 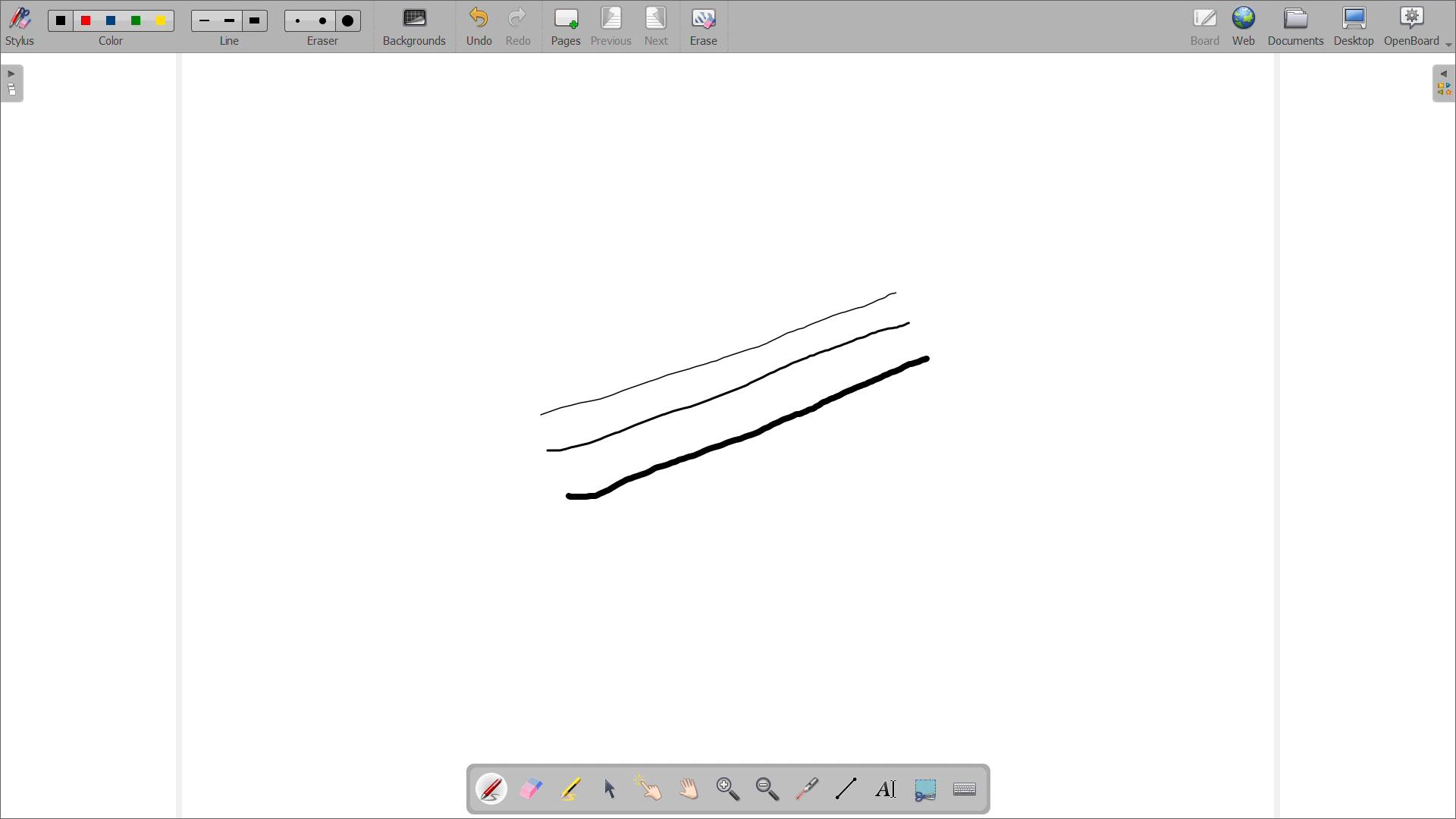 I want to click on open pages view, so click(x=13, y=83).